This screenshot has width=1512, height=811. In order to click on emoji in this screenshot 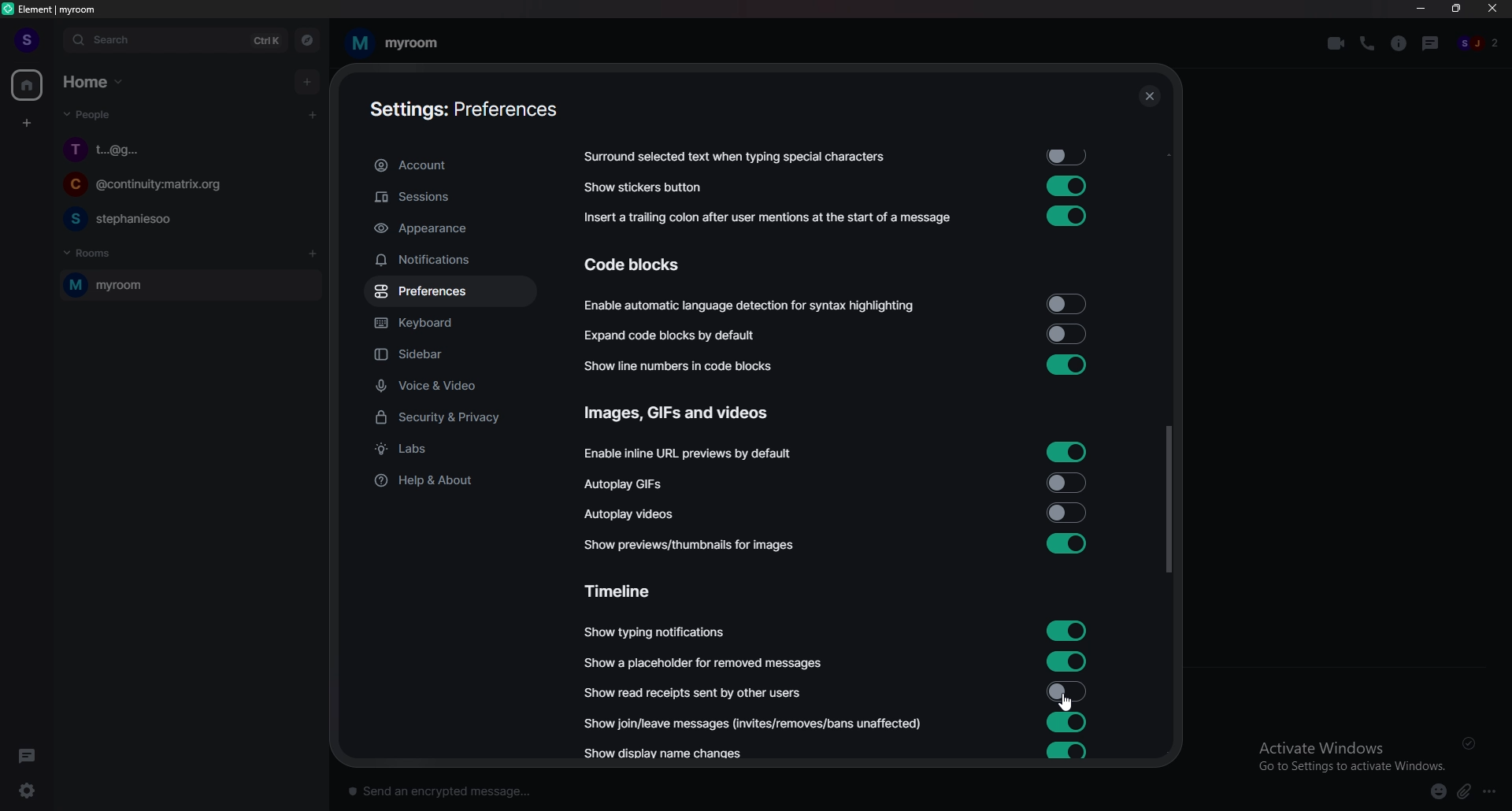, I will do `click(1432, 791)`.